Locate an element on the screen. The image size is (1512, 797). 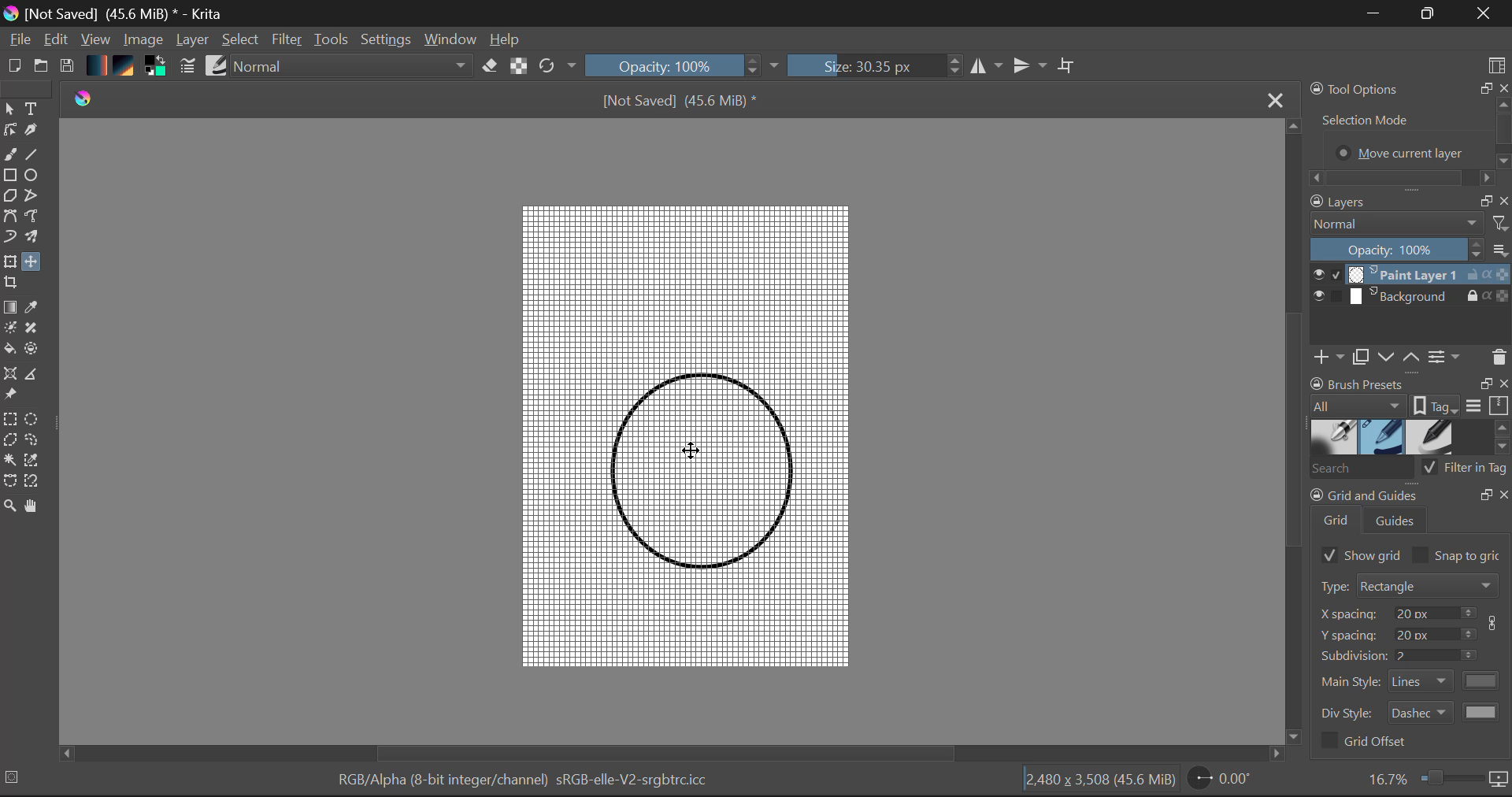
Document Dimensions is located at coordinates (1101, 783).